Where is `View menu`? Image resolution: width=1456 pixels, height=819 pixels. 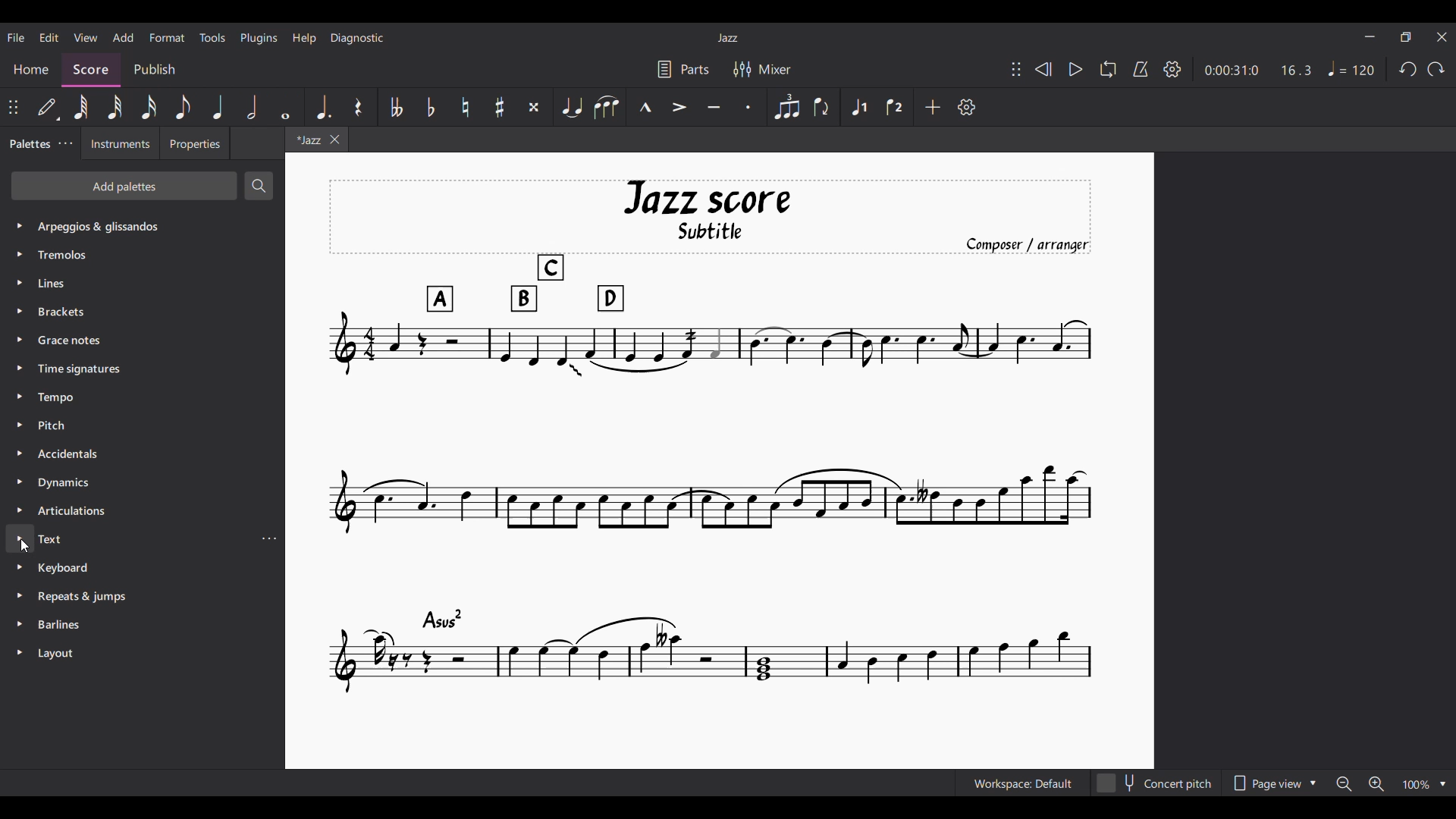 View menu is located at coordinates (86, 38).